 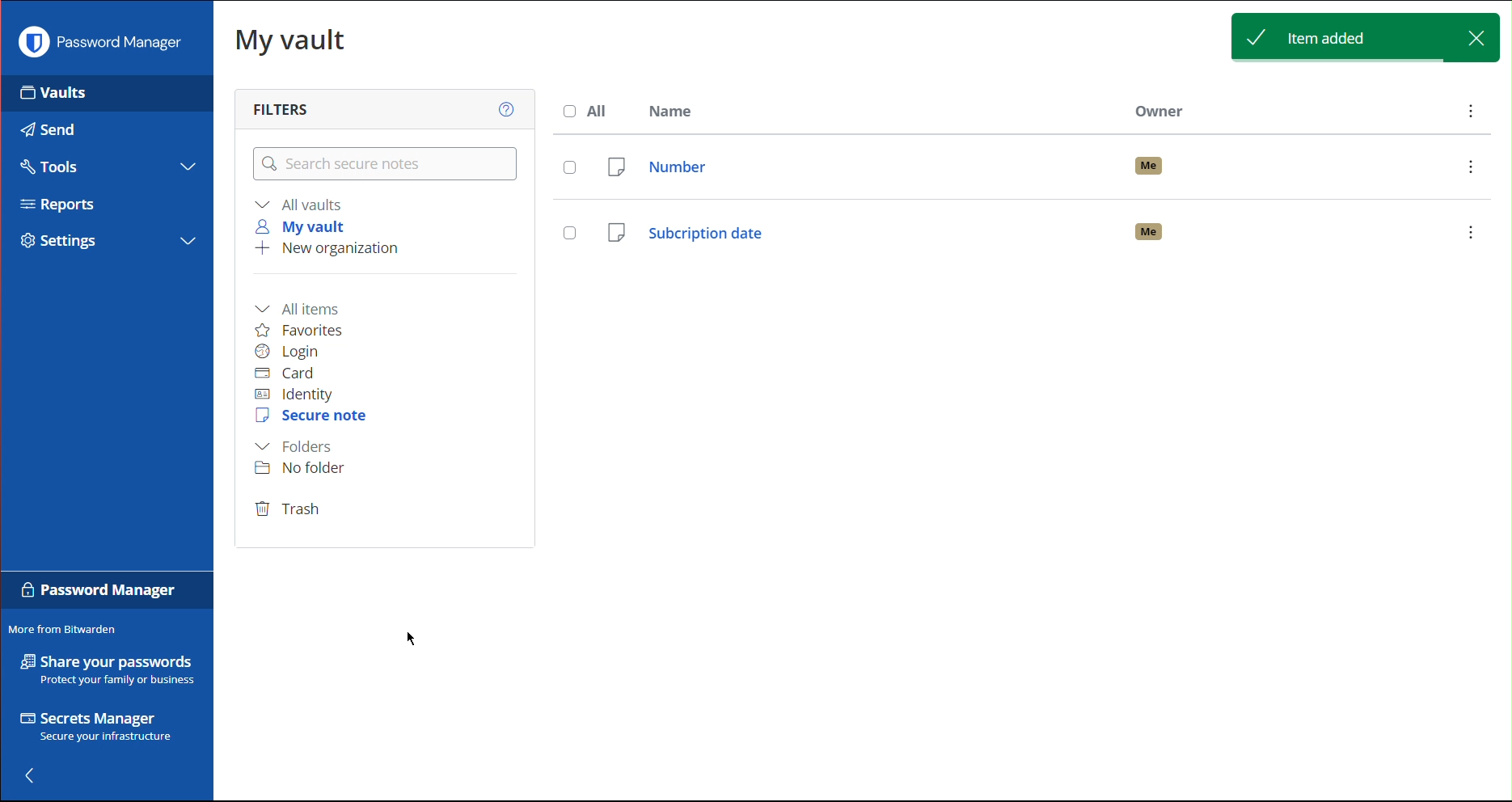 I want to click on Favorites, so click(x=300, y=330).